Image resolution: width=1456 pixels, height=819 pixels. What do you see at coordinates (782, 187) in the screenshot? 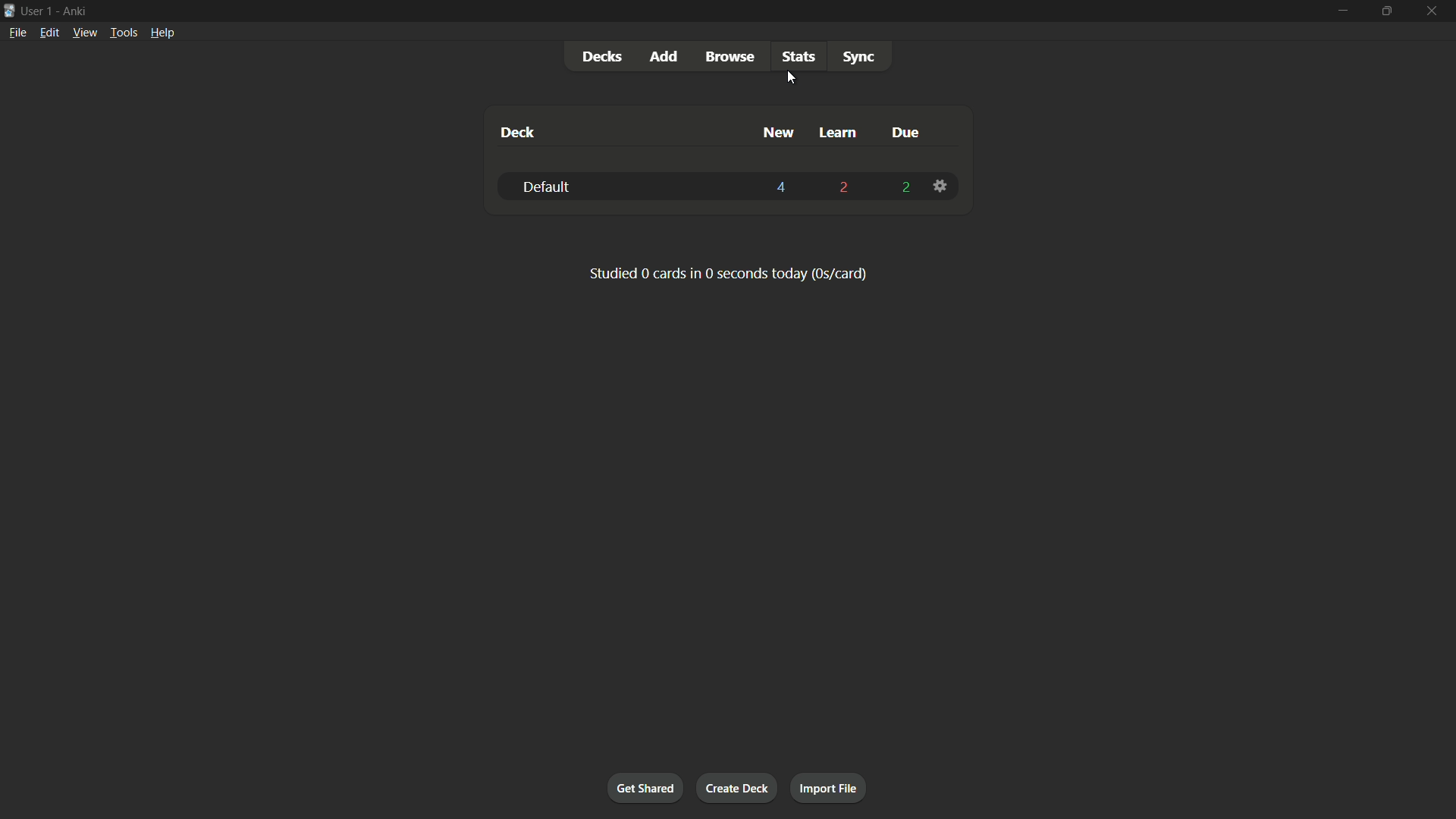
I see `4` at bounding box center [782, 187].